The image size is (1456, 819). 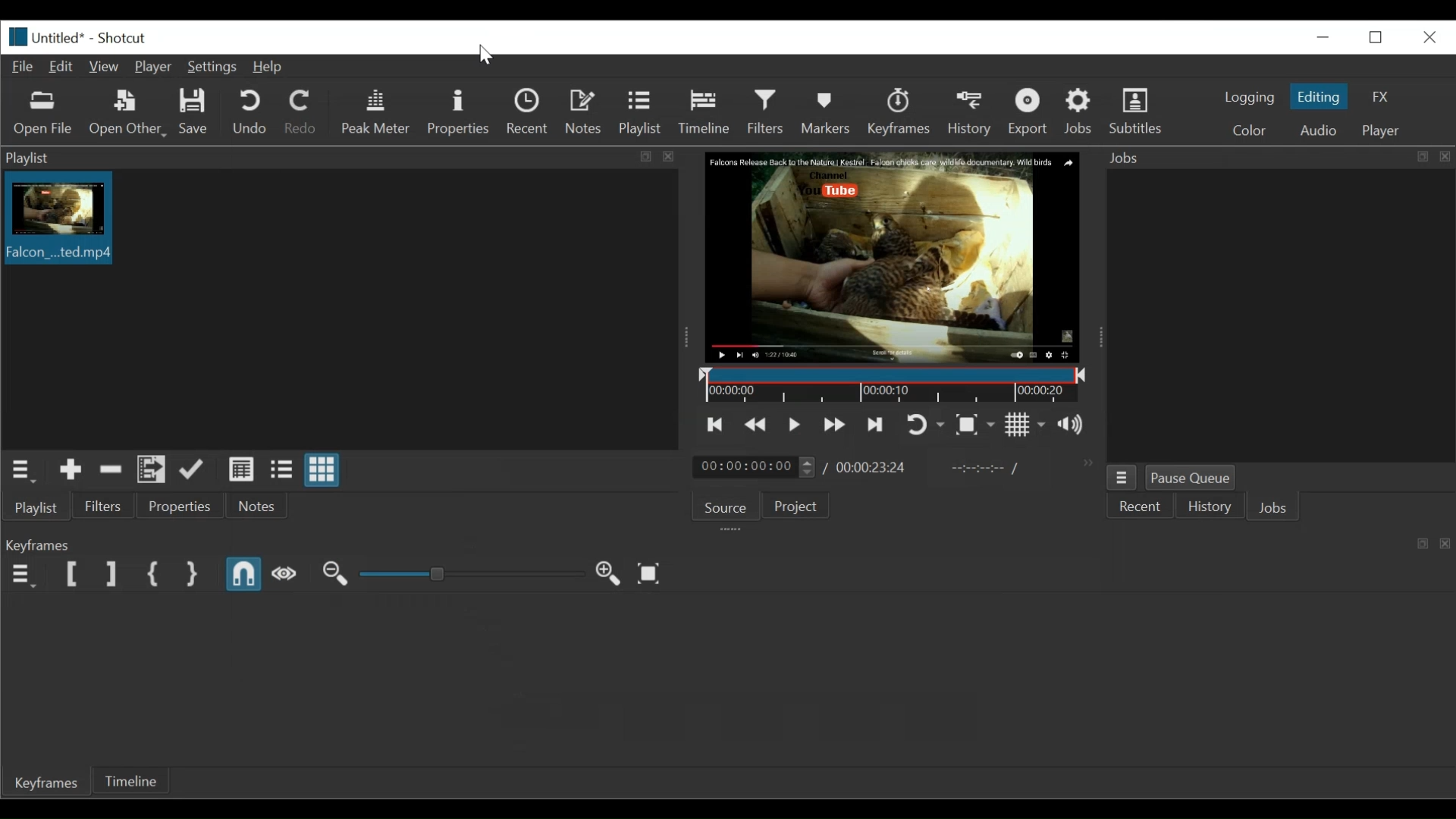 I want to click on File, so click(x=24, y=69).